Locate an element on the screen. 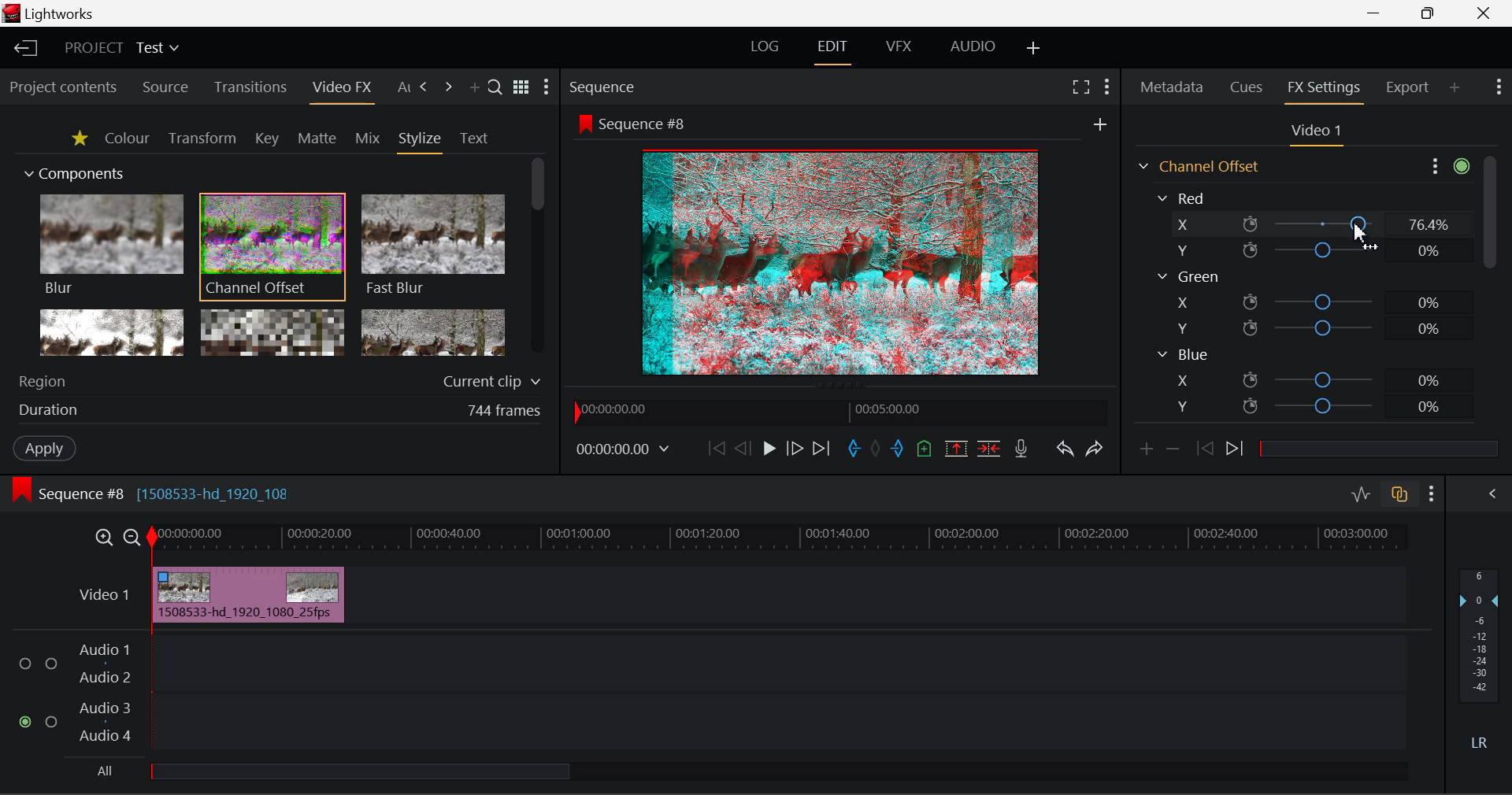 The width and height of the screenshot is (1512, 795). Frame Duration is located at coordinates (280, 412).